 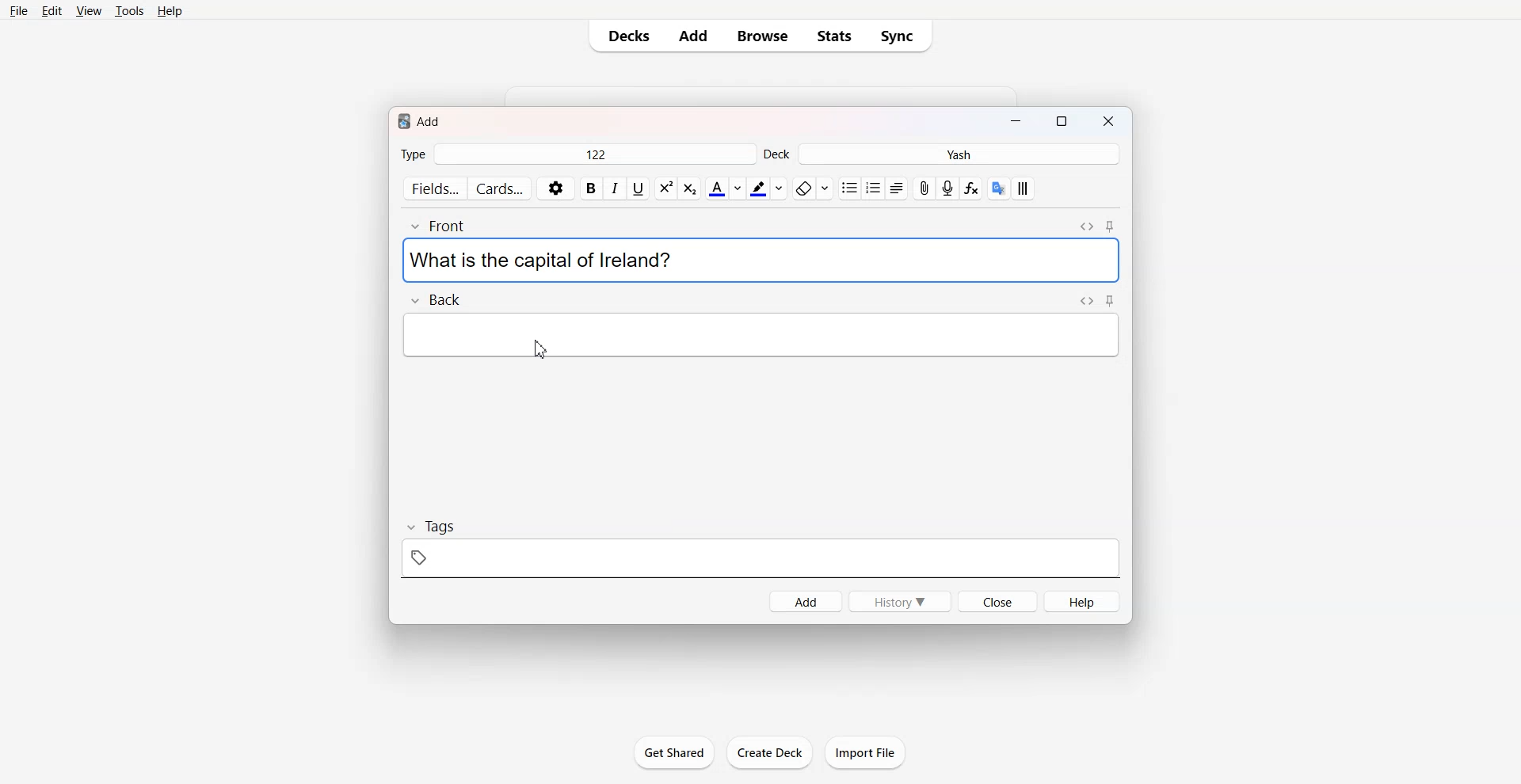 What do you see at coordinates (443, 226) in the screenshot?
I see `Front` at bounding box center [443, 226].